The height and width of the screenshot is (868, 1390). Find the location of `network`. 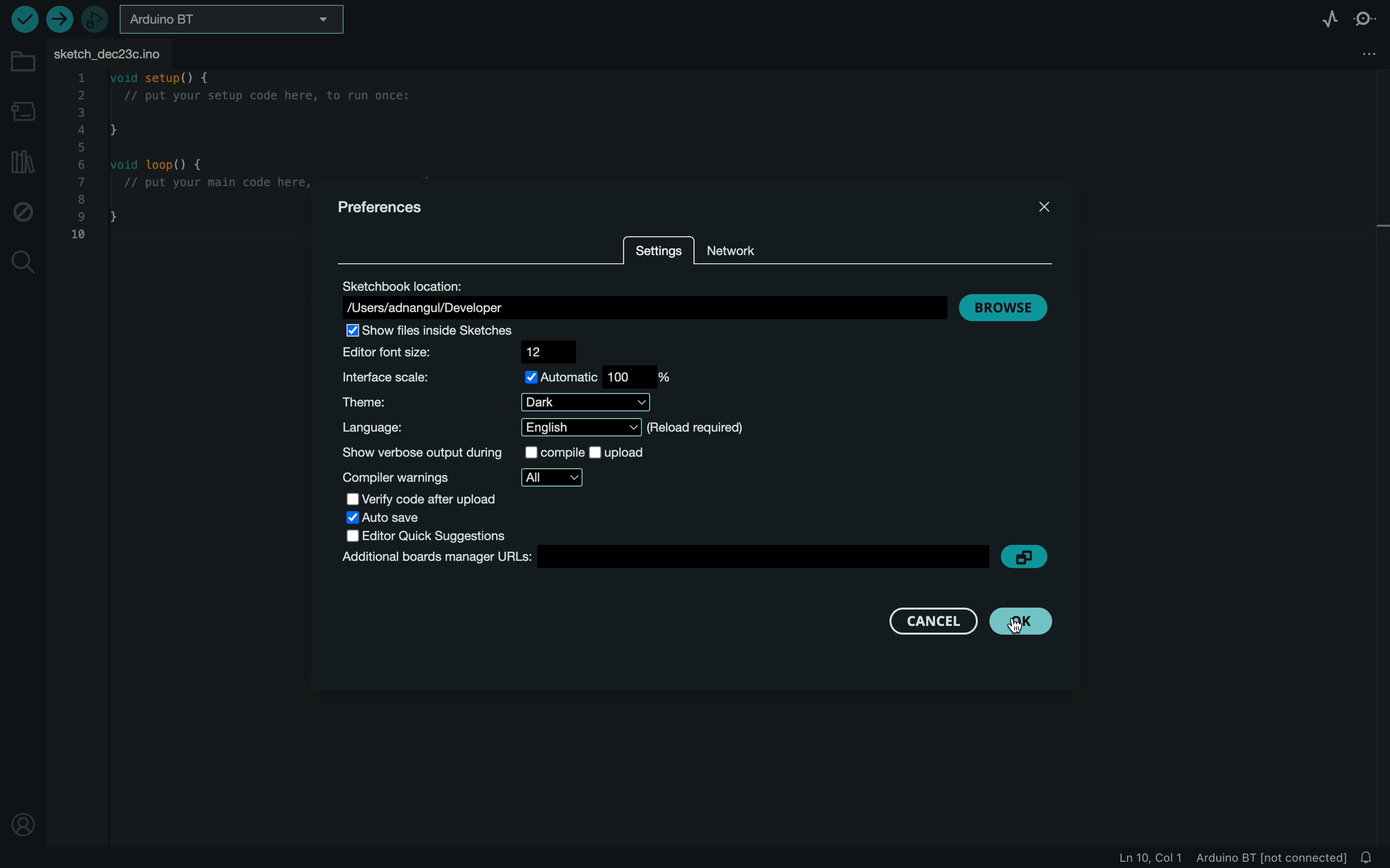

network is located at coordinates (748, 249).